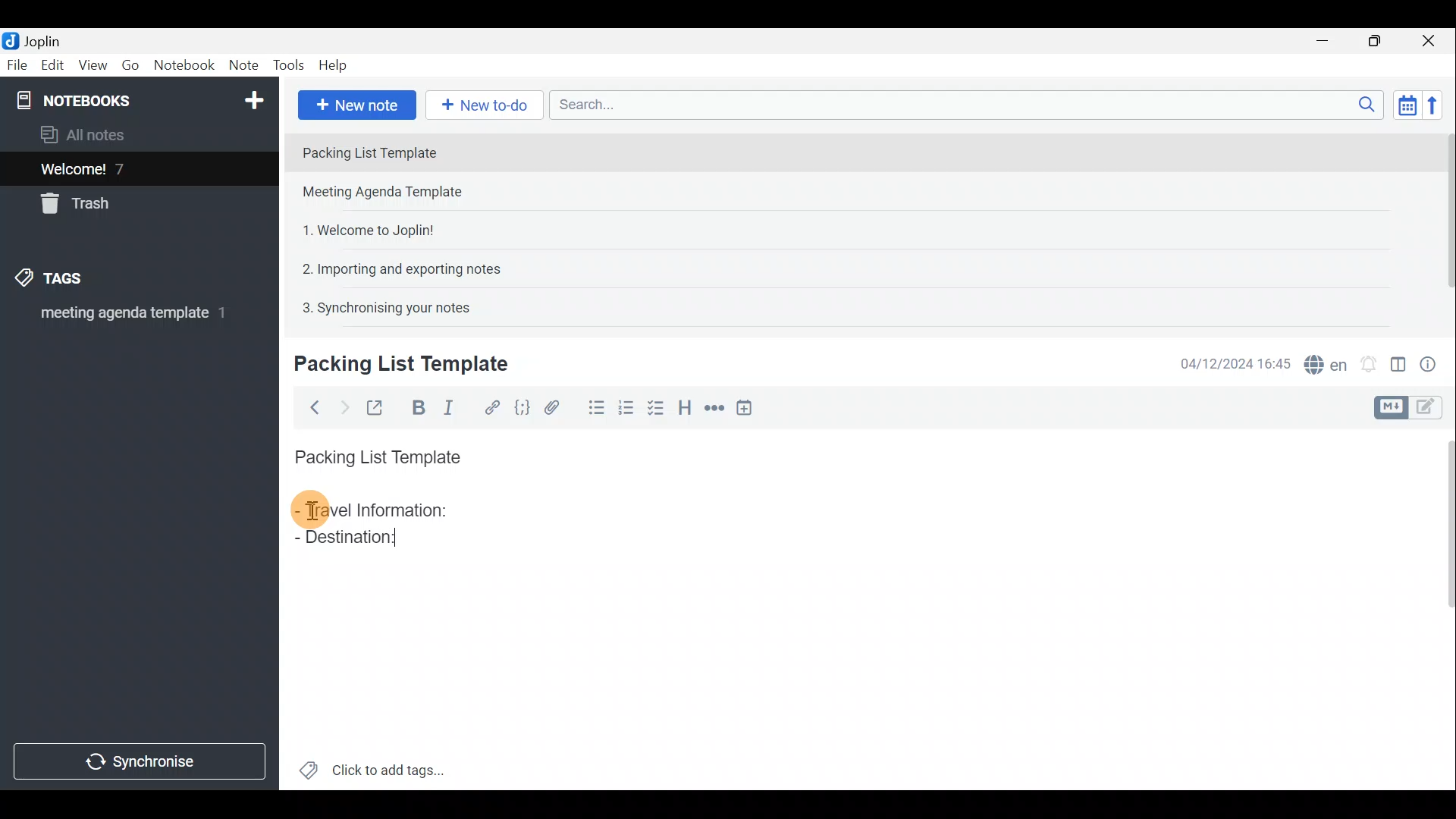 The height and width of the screenshot is (819, 1456). I want to click on Horizontal rule, so click(712, 408).